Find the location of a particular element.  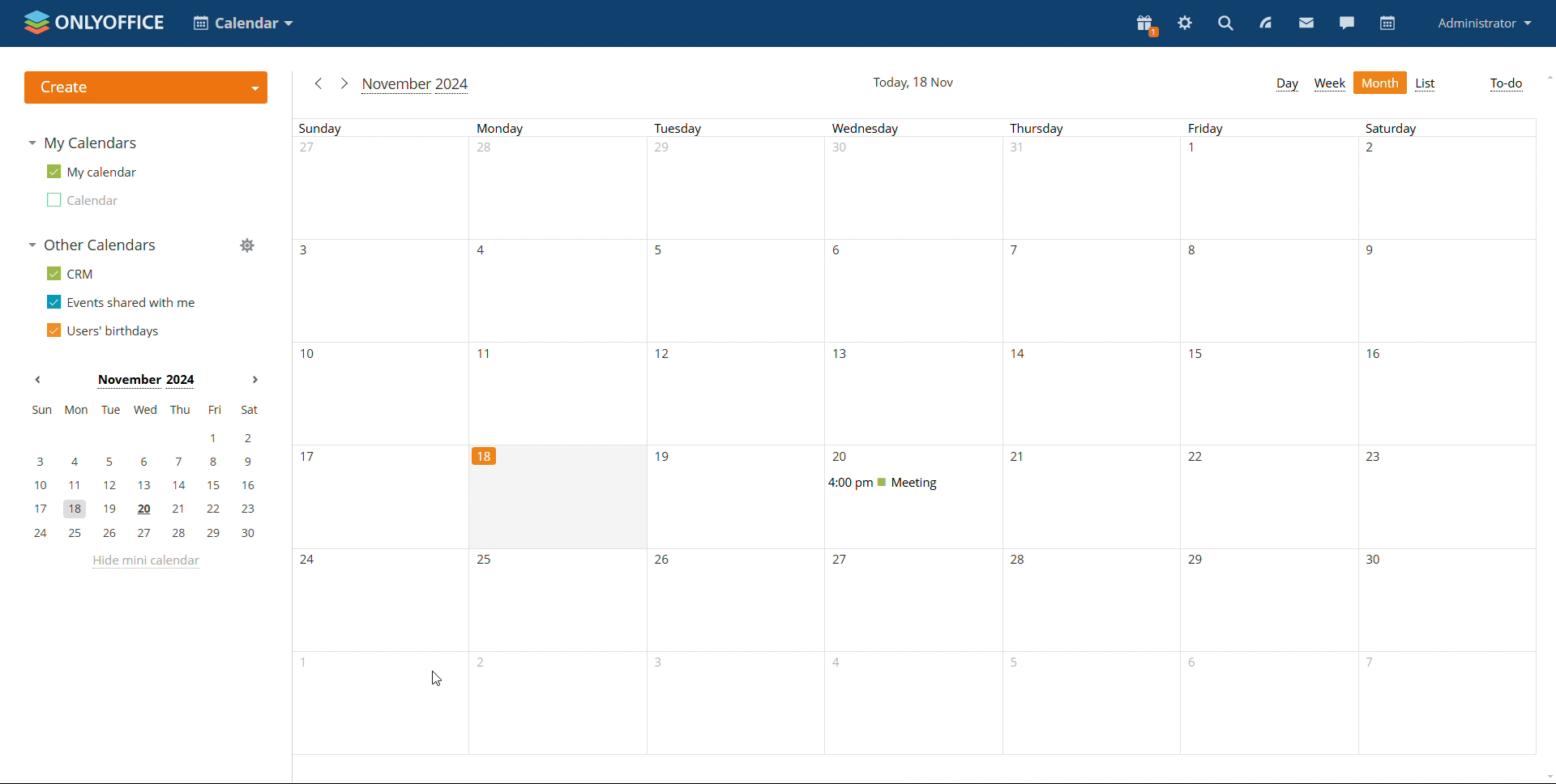

profile is located at coordinates (1483, 23).